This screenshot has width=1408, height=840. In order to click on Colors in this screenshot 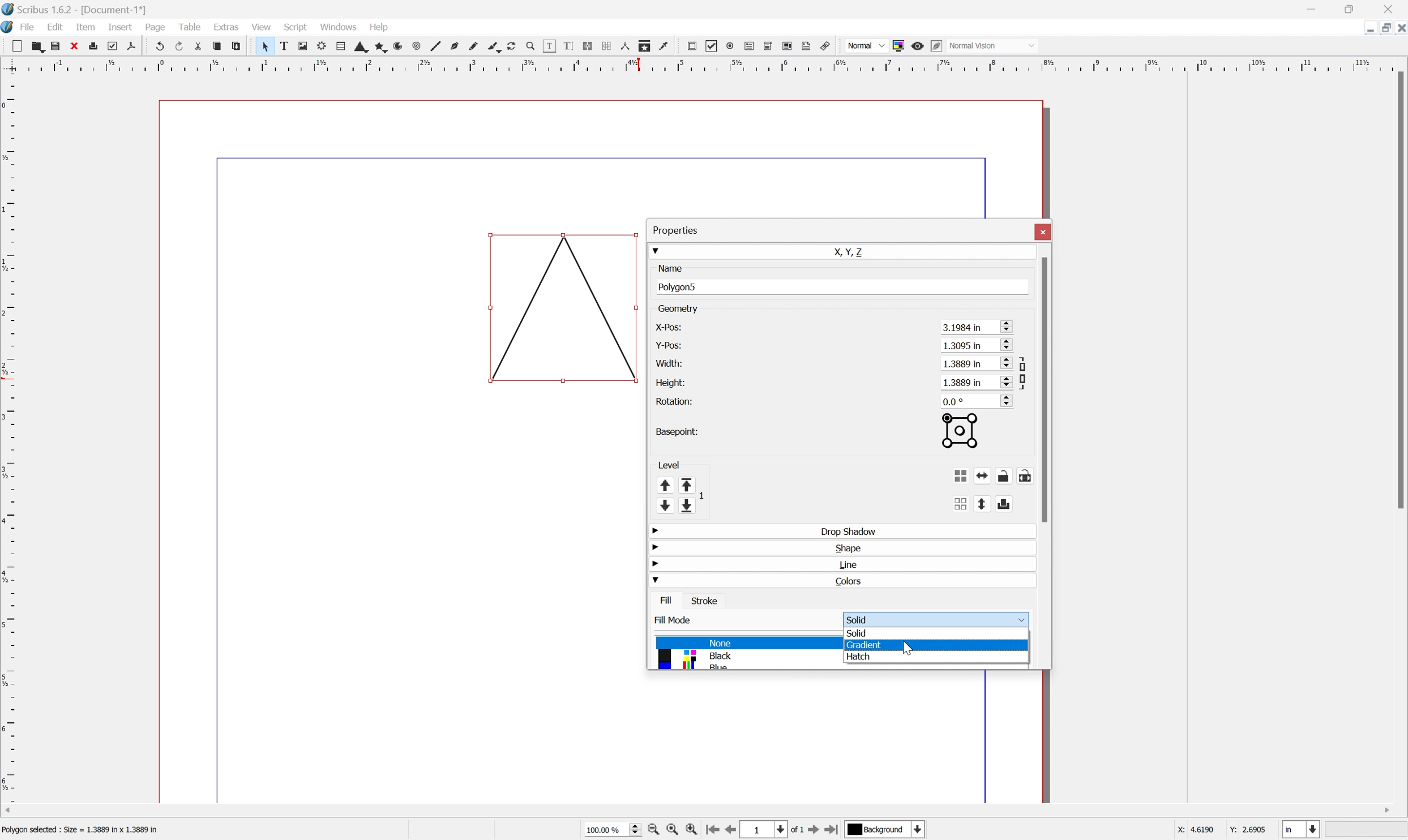, I will do `click(705, 653)`.